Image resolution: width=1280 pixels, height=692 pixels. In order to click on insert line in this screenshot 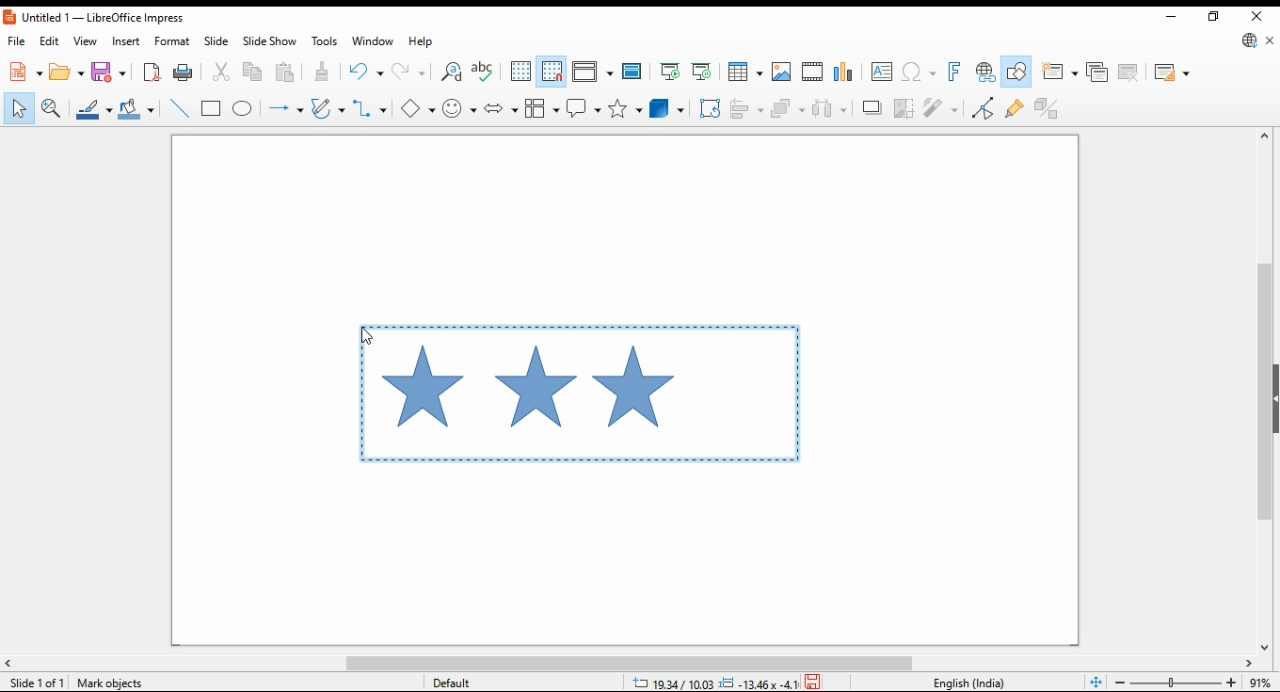, I will do `click(179, 109)`.